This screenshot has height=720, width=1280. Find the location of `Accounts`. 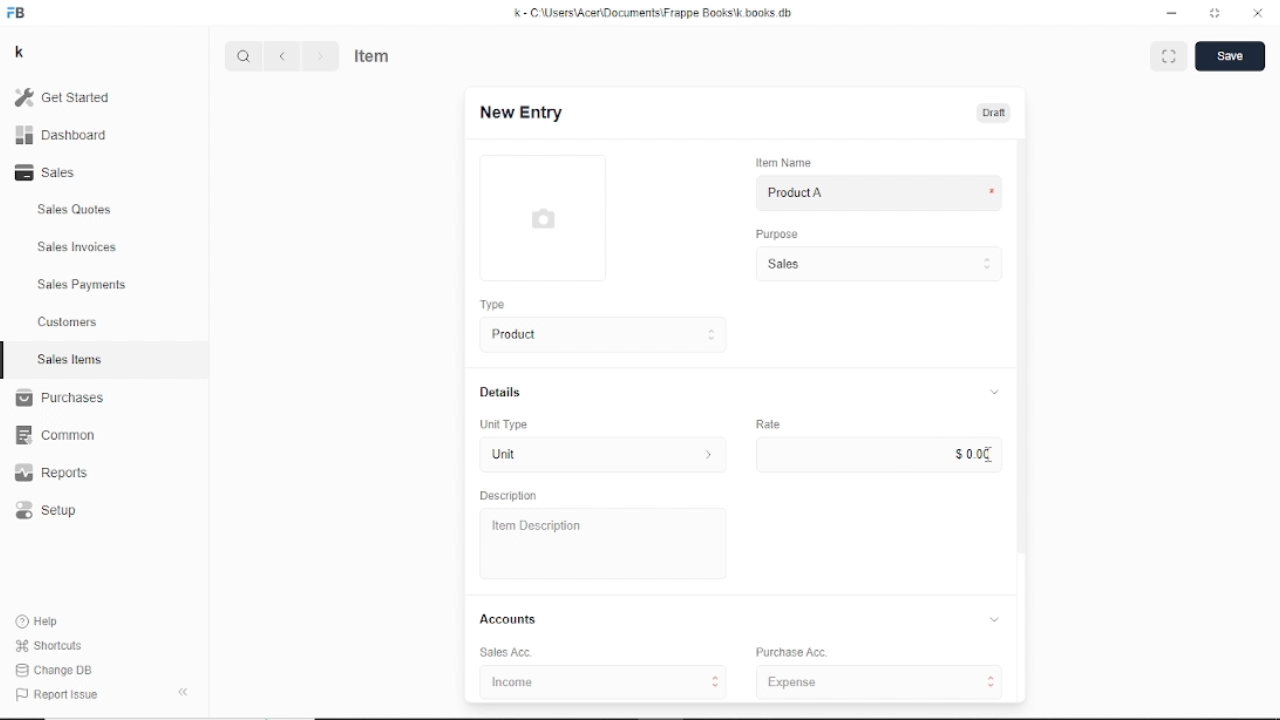

Accounts is located at coordinates (743, 619).